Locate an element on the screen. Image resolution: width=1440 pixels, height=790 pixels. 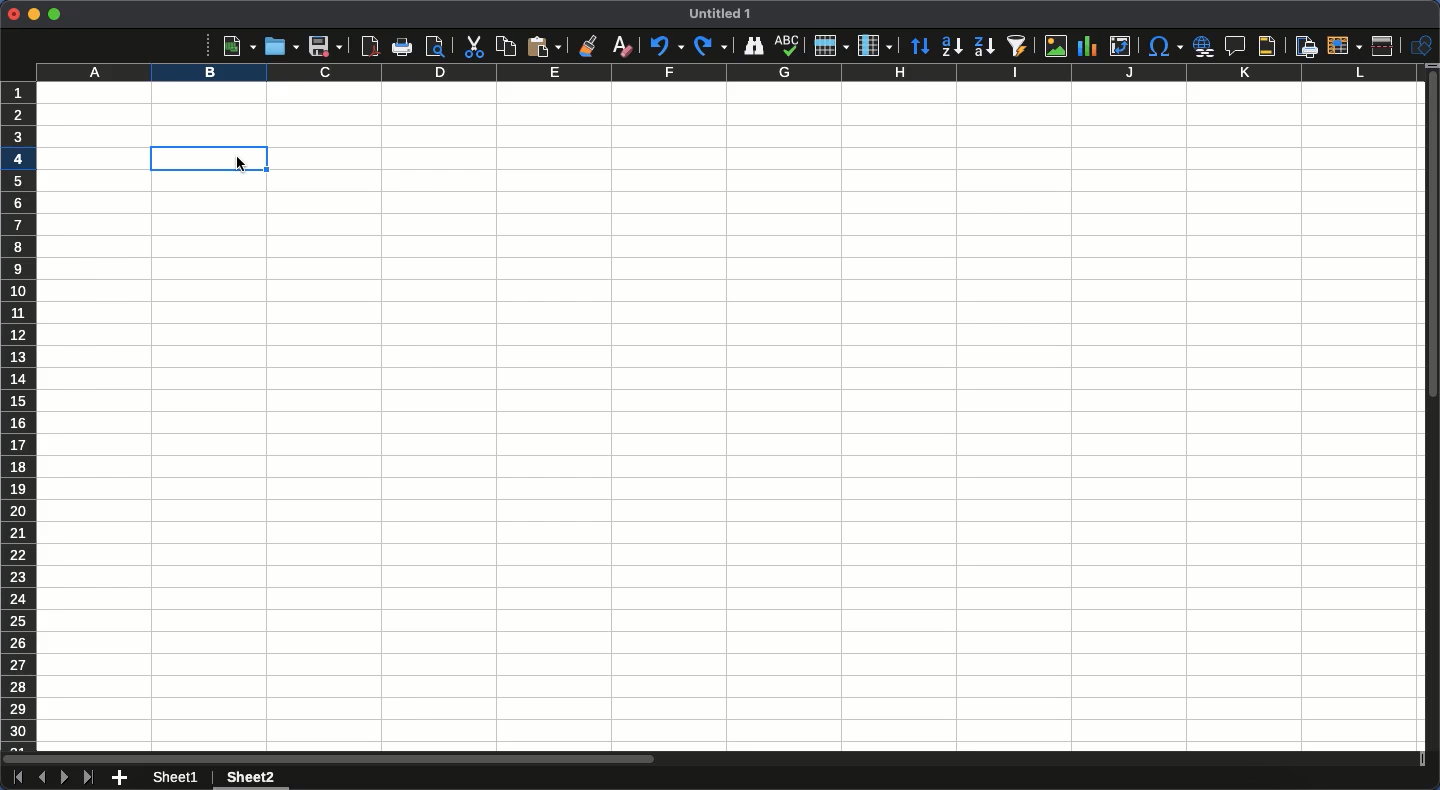
First sheet is located at coordinates (16, 778).